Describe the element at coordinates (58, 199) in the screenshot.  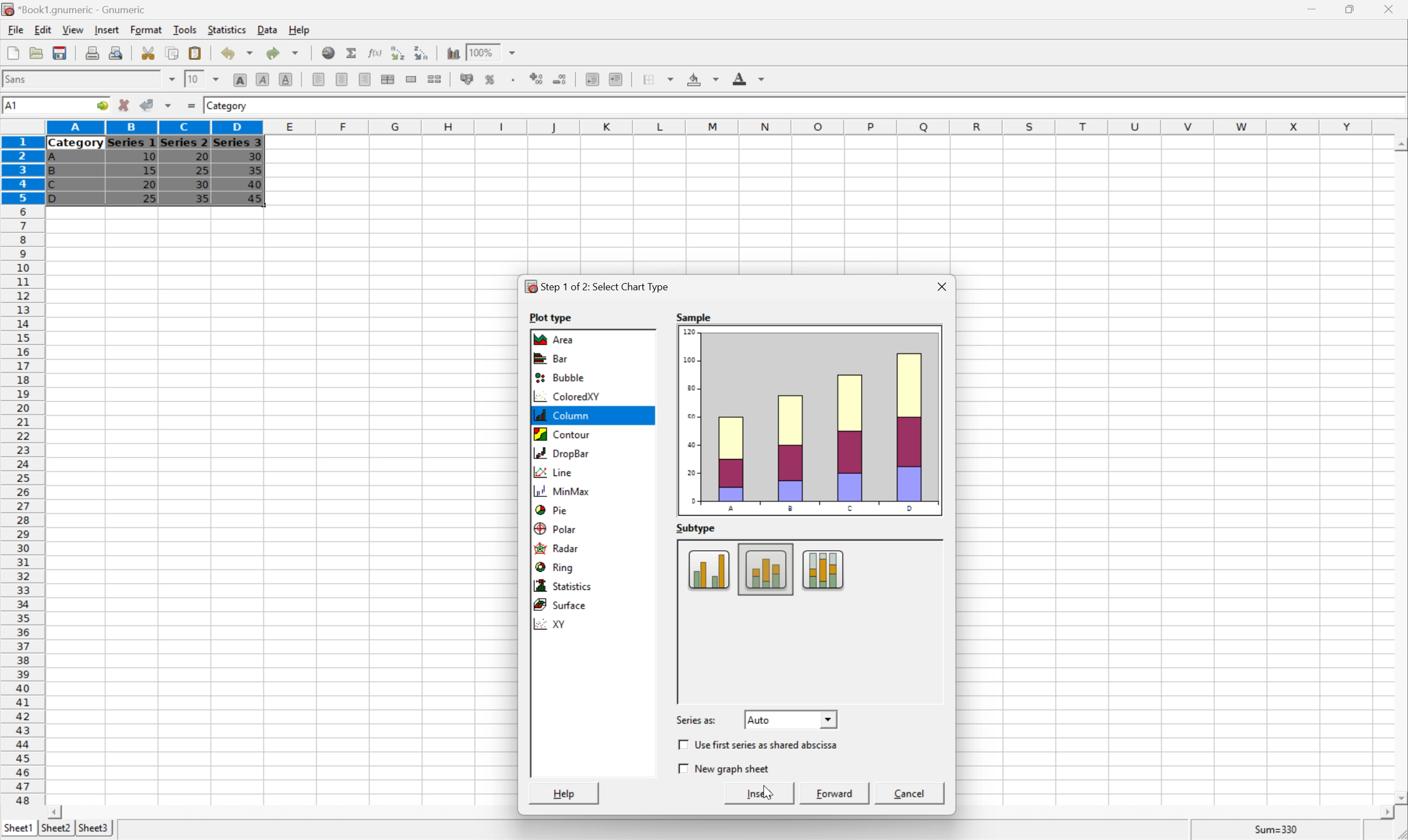
I see `D` at that location.